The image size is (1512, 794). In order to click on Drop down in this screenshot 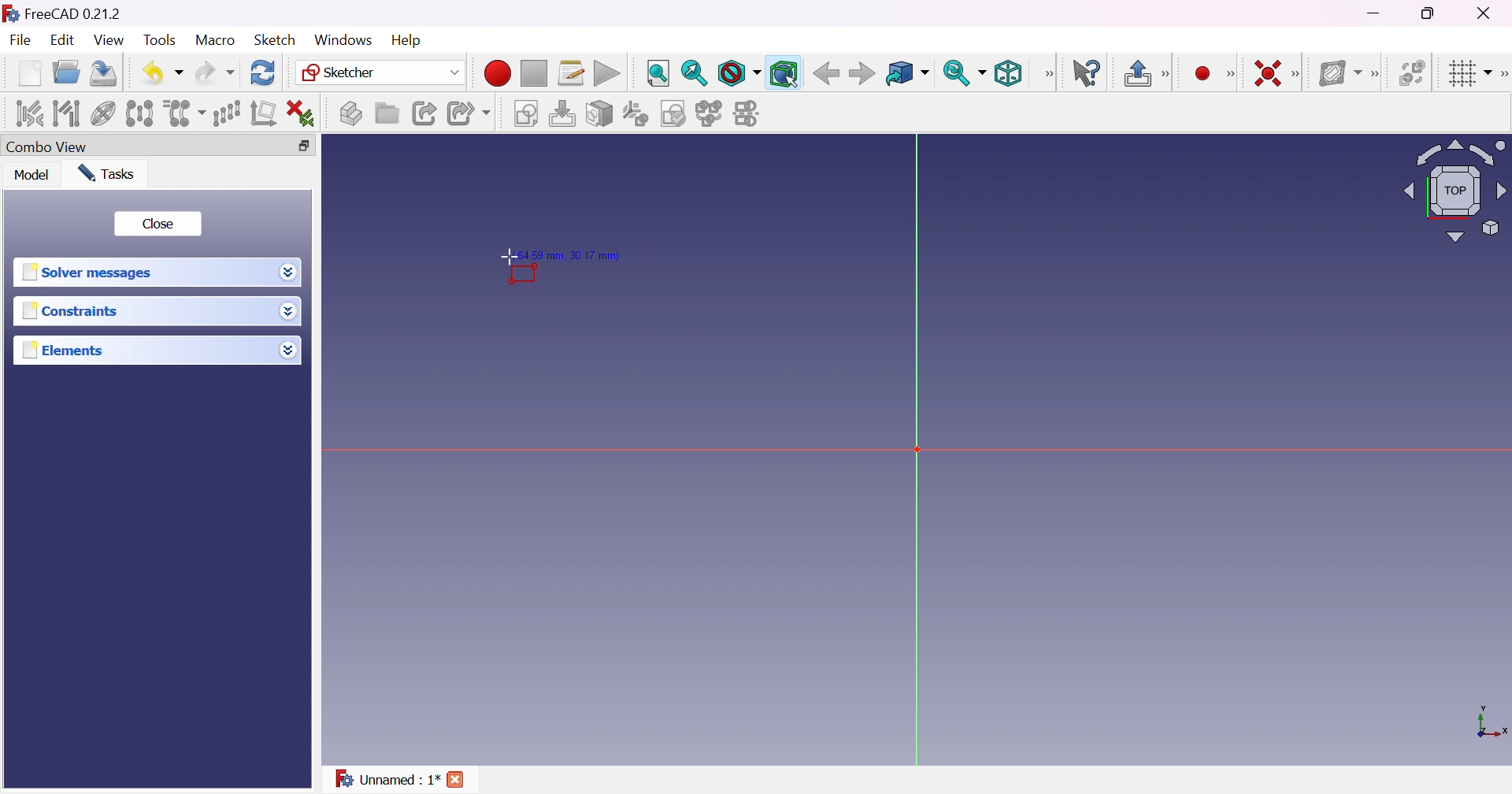, I will do `click(289, 351)`.